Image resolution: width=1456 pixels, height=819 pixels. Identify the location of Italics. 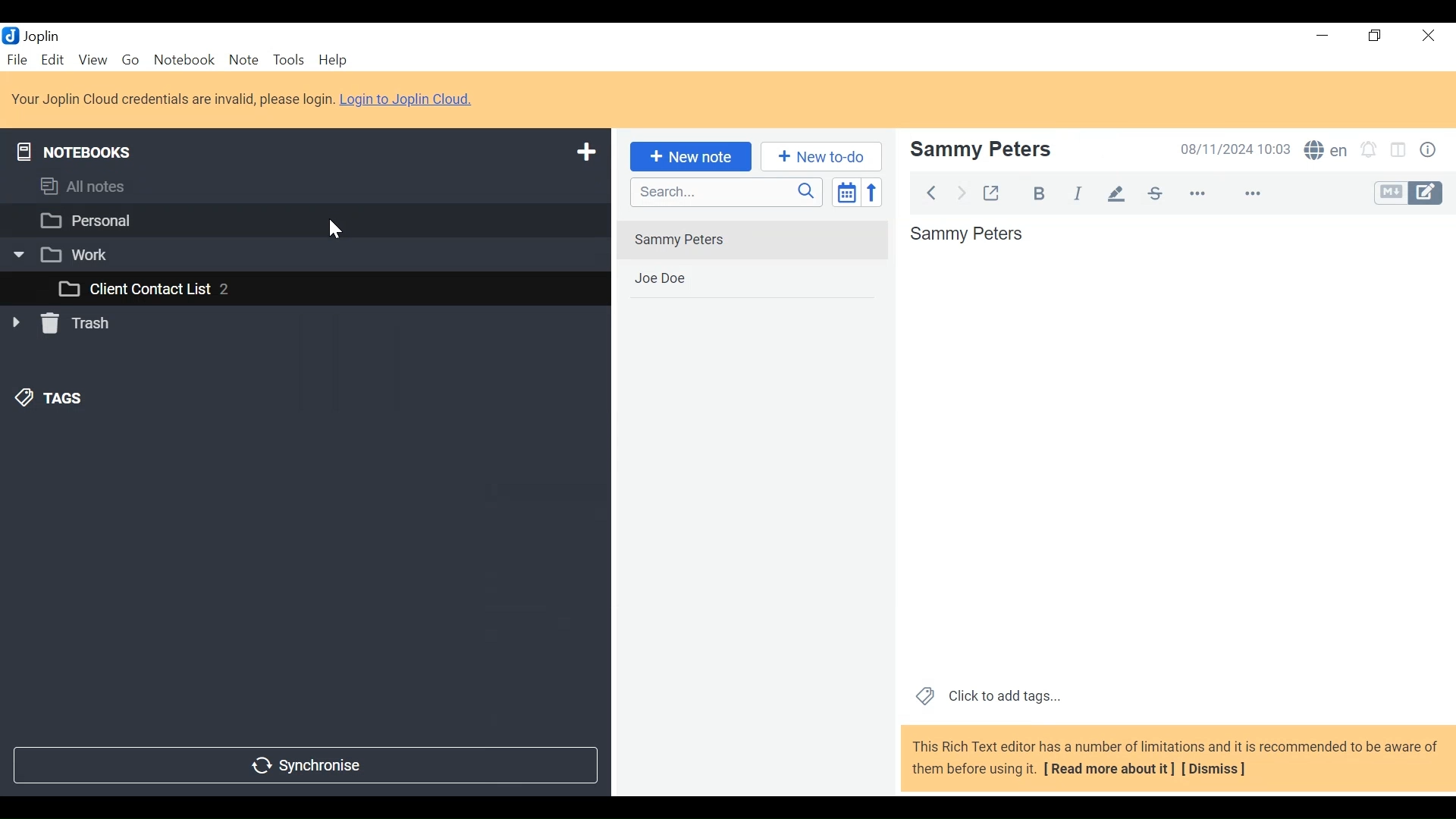
(1081, 192).